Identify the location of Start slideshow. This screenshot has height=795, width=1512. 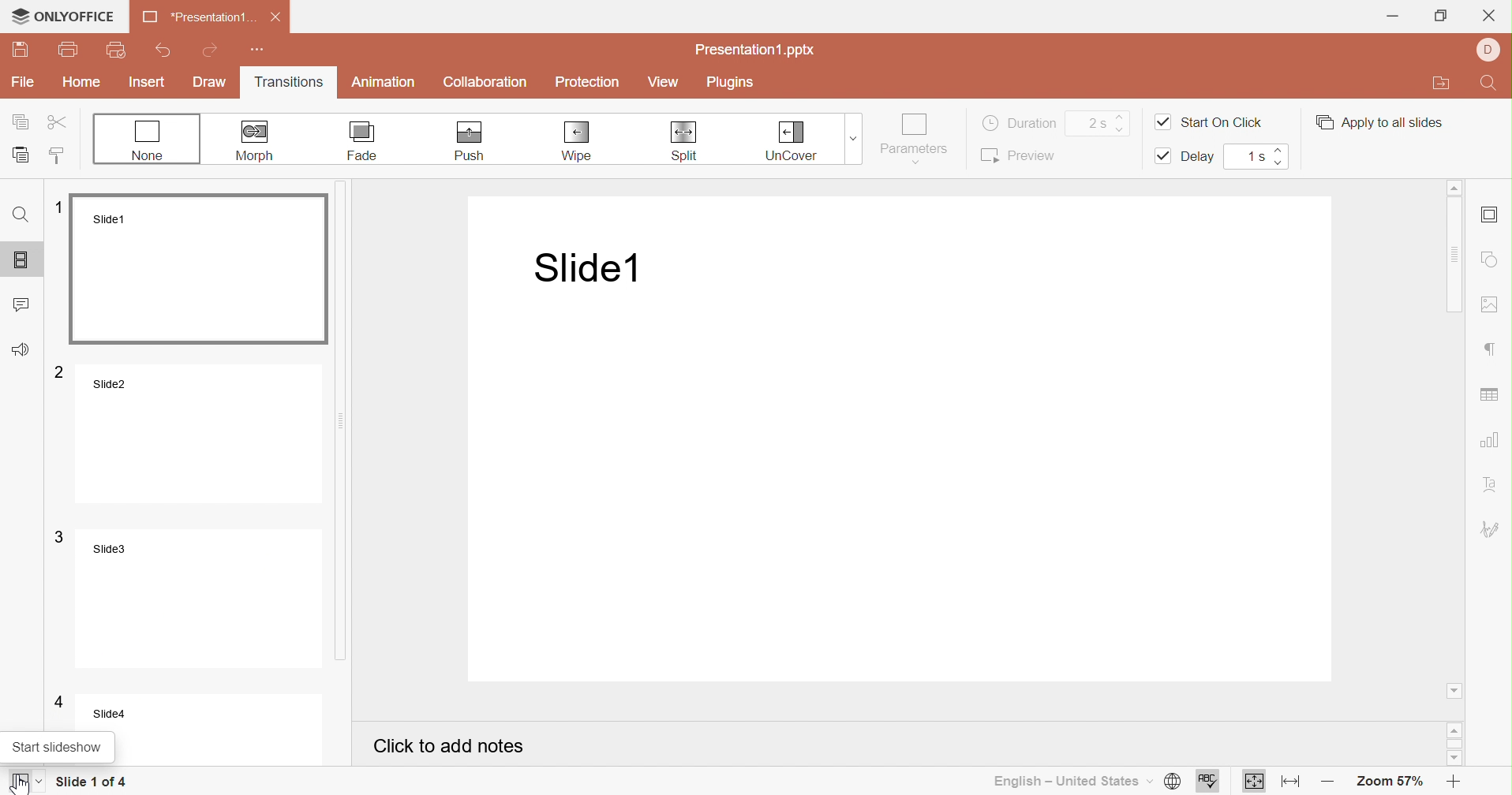
(28, 782).